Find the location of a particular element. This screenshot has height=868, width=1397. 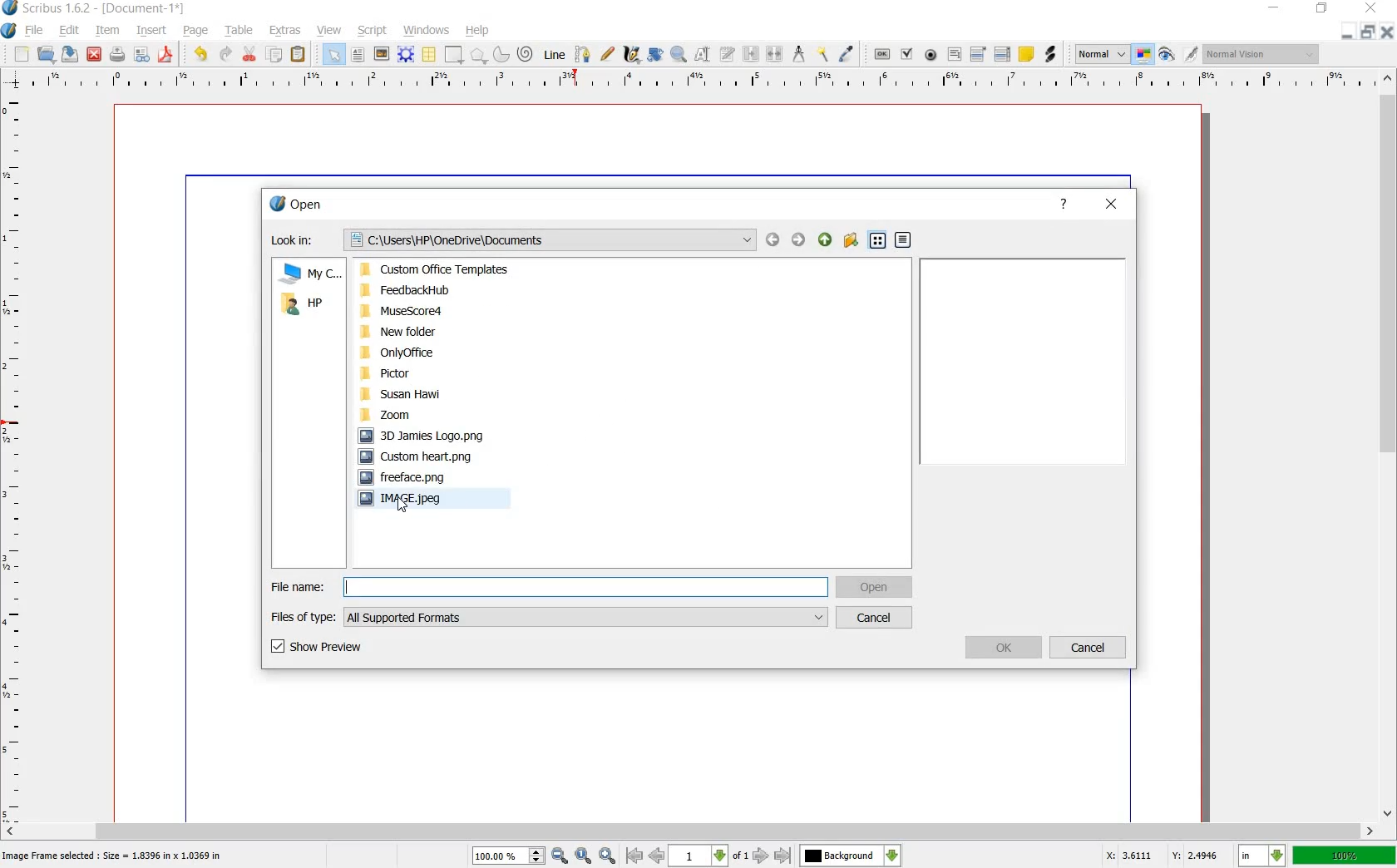

Custom heart.png is located at coordinates (423, 455).